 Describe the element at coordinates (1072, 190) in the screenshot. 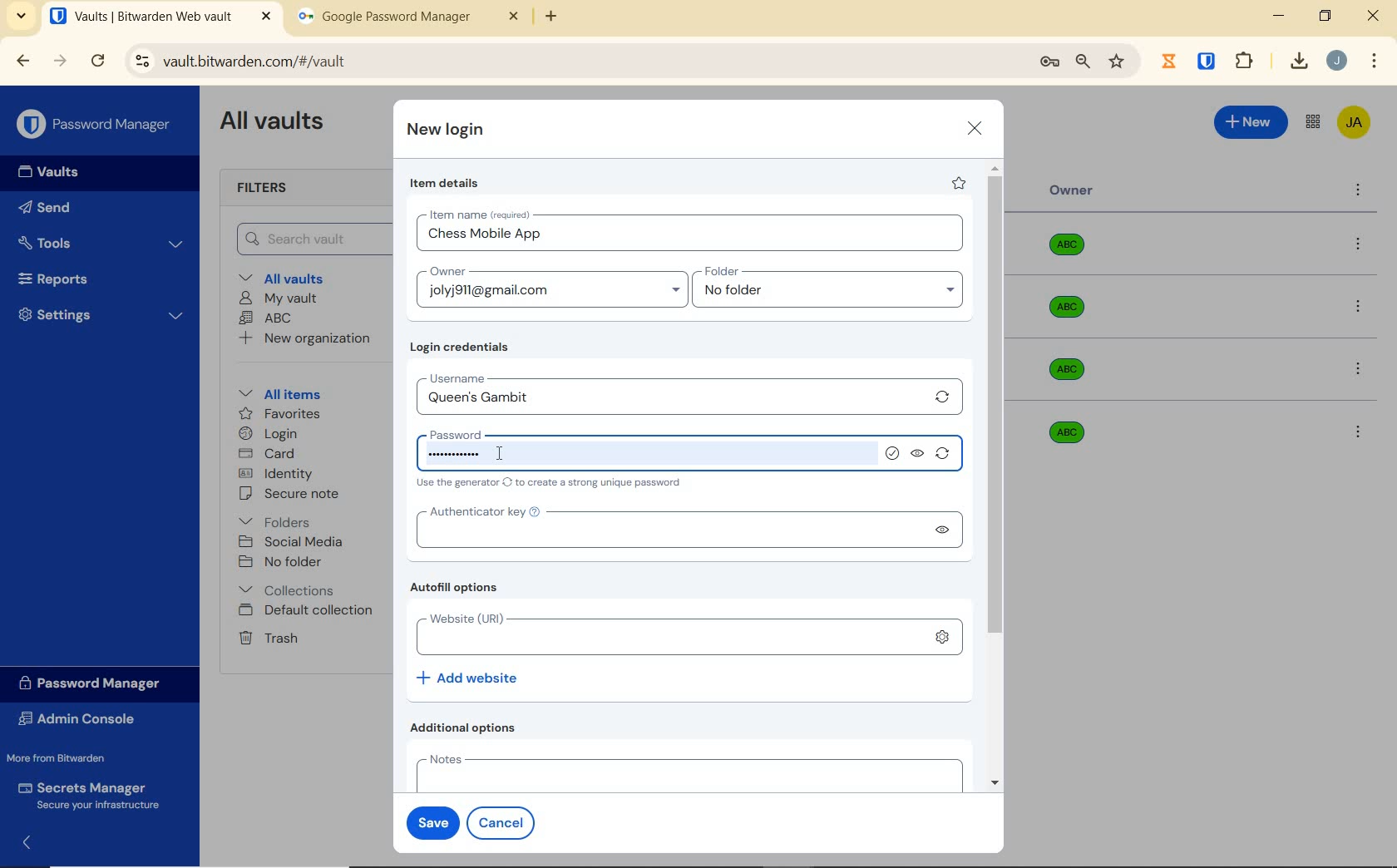

I see `Owner` at that location.